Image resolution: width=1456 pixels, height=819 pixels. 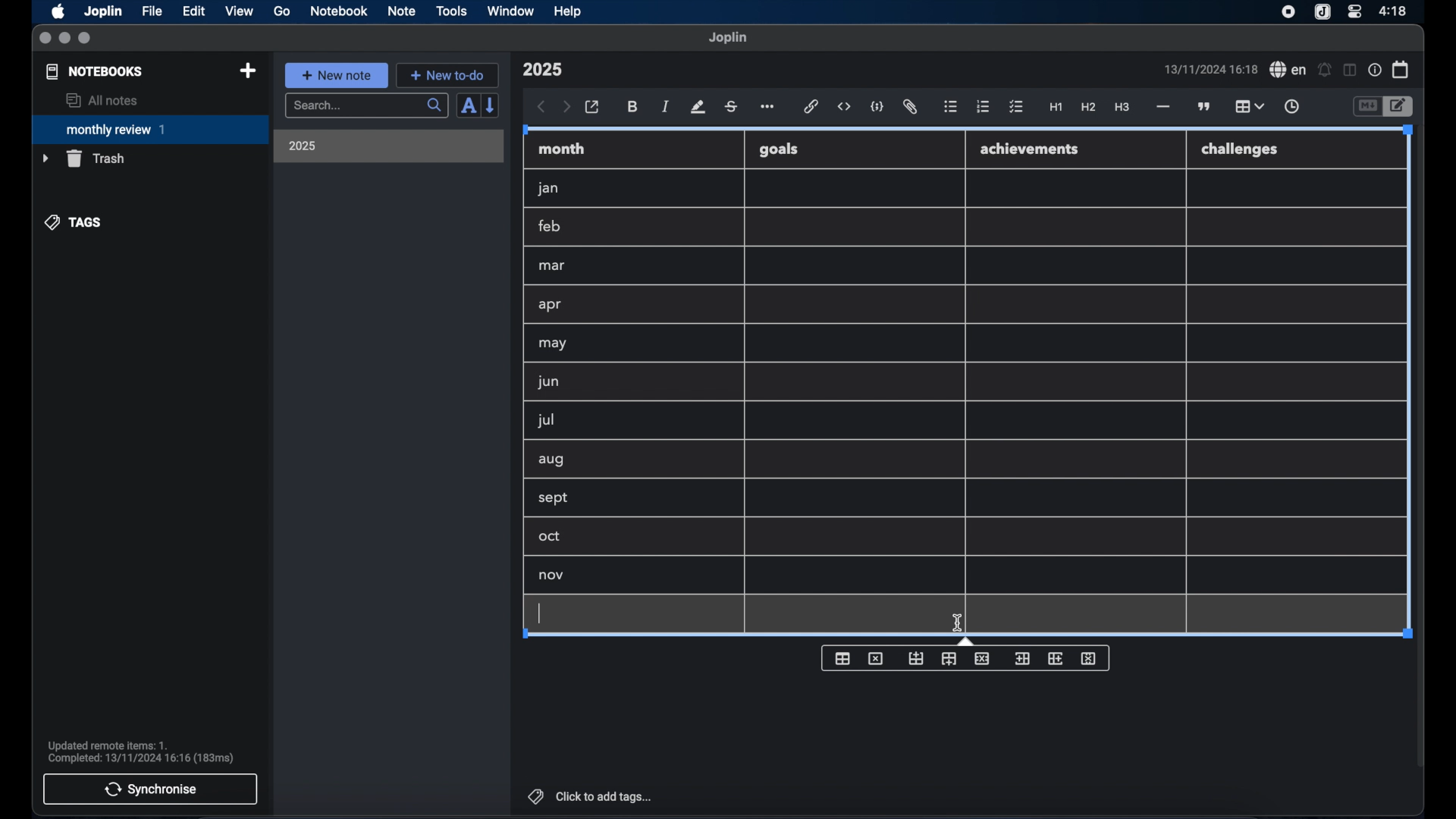 What do you see at coordinates (552, 576) in the screenshot?
I see `nove` at bounding box center [552, 576].